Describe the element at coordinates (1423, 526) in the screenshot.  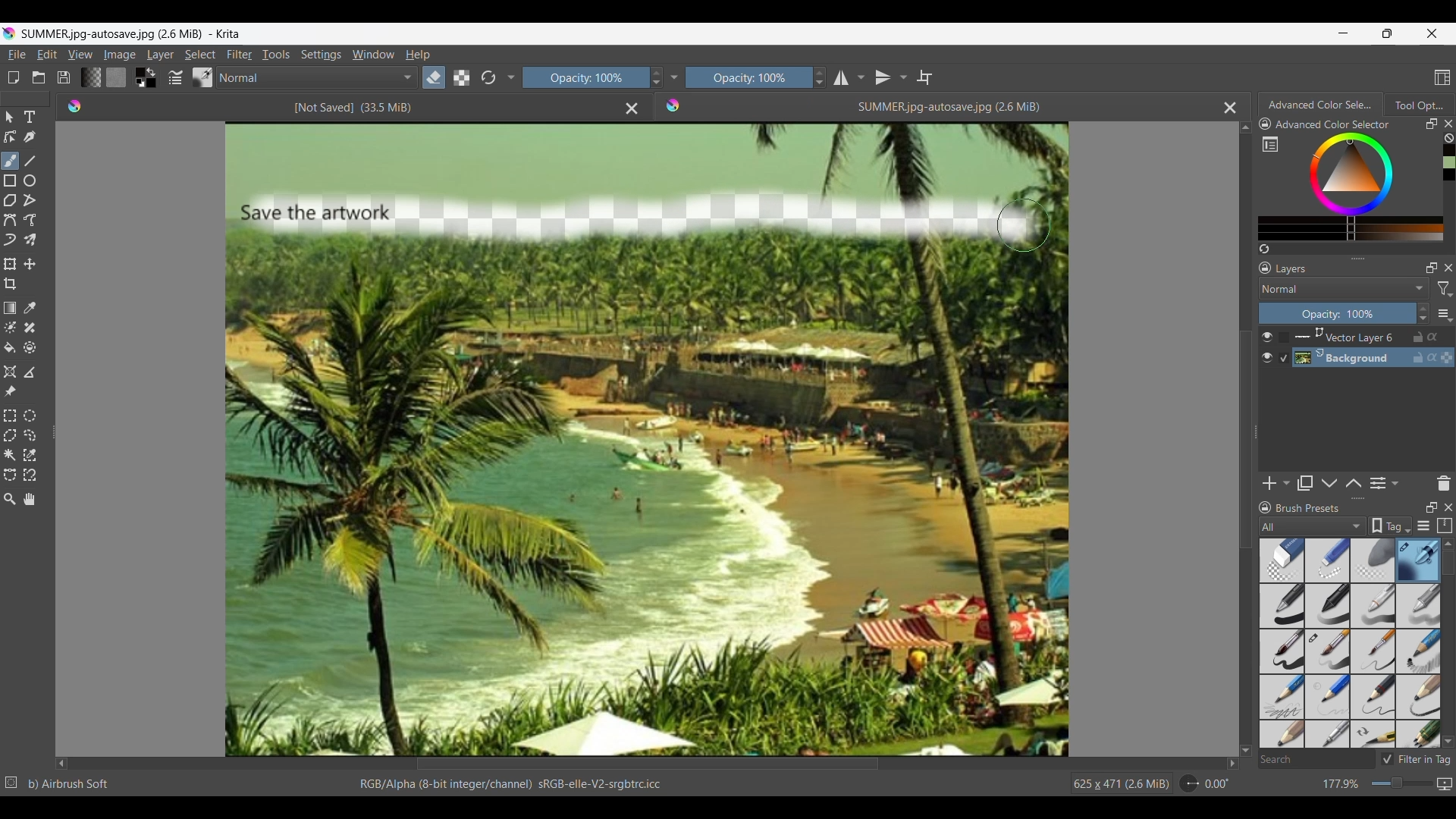
I see `Display settings` at that location.